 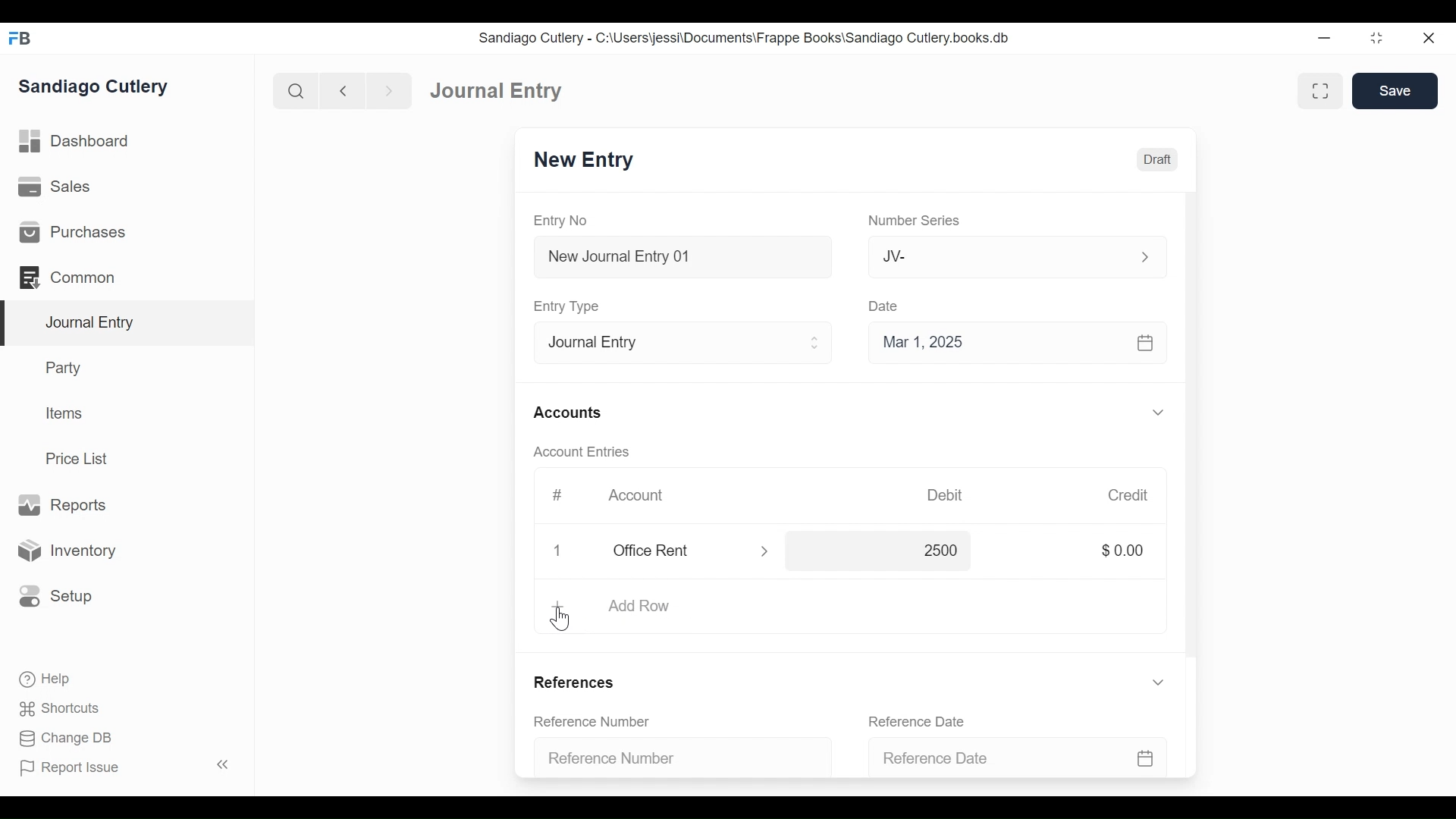 What do you see at coordinates (52, 709) in the screenshot?
I see `Shortcuts` at bounding box center [52, 709].